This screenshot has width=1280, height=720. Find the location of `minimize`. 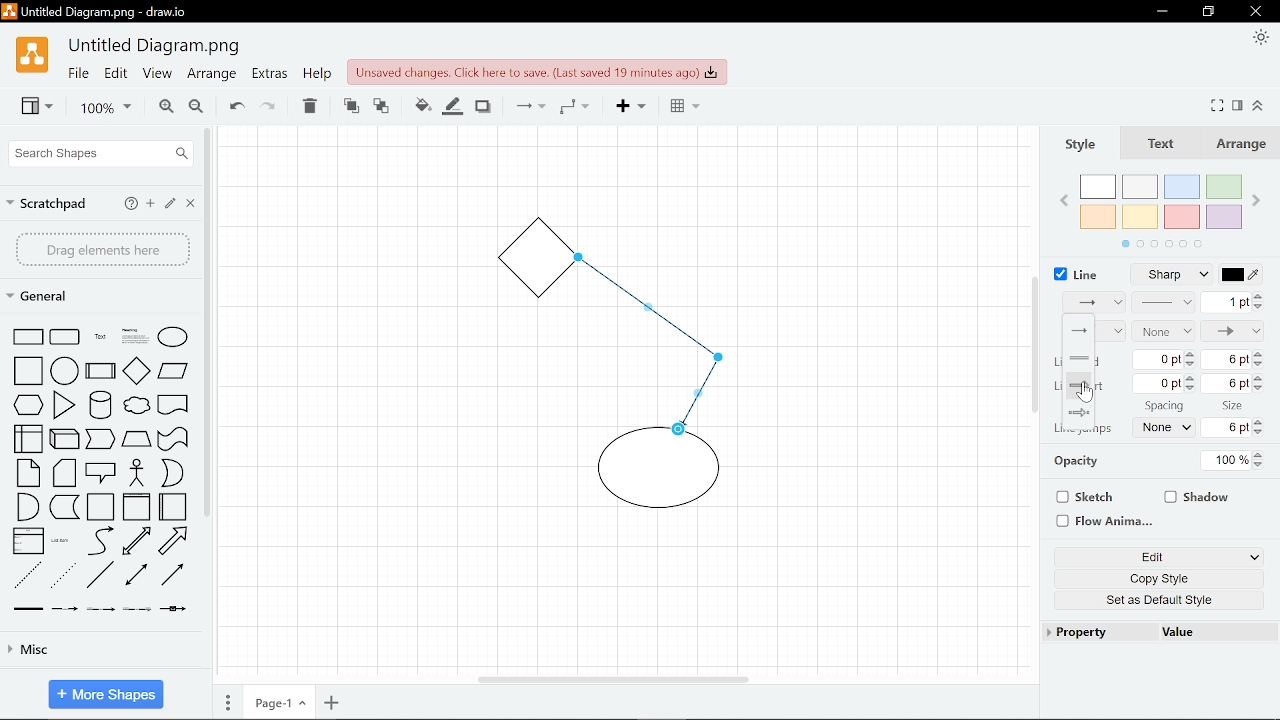

minimize is located at coordinates (1211, 12).